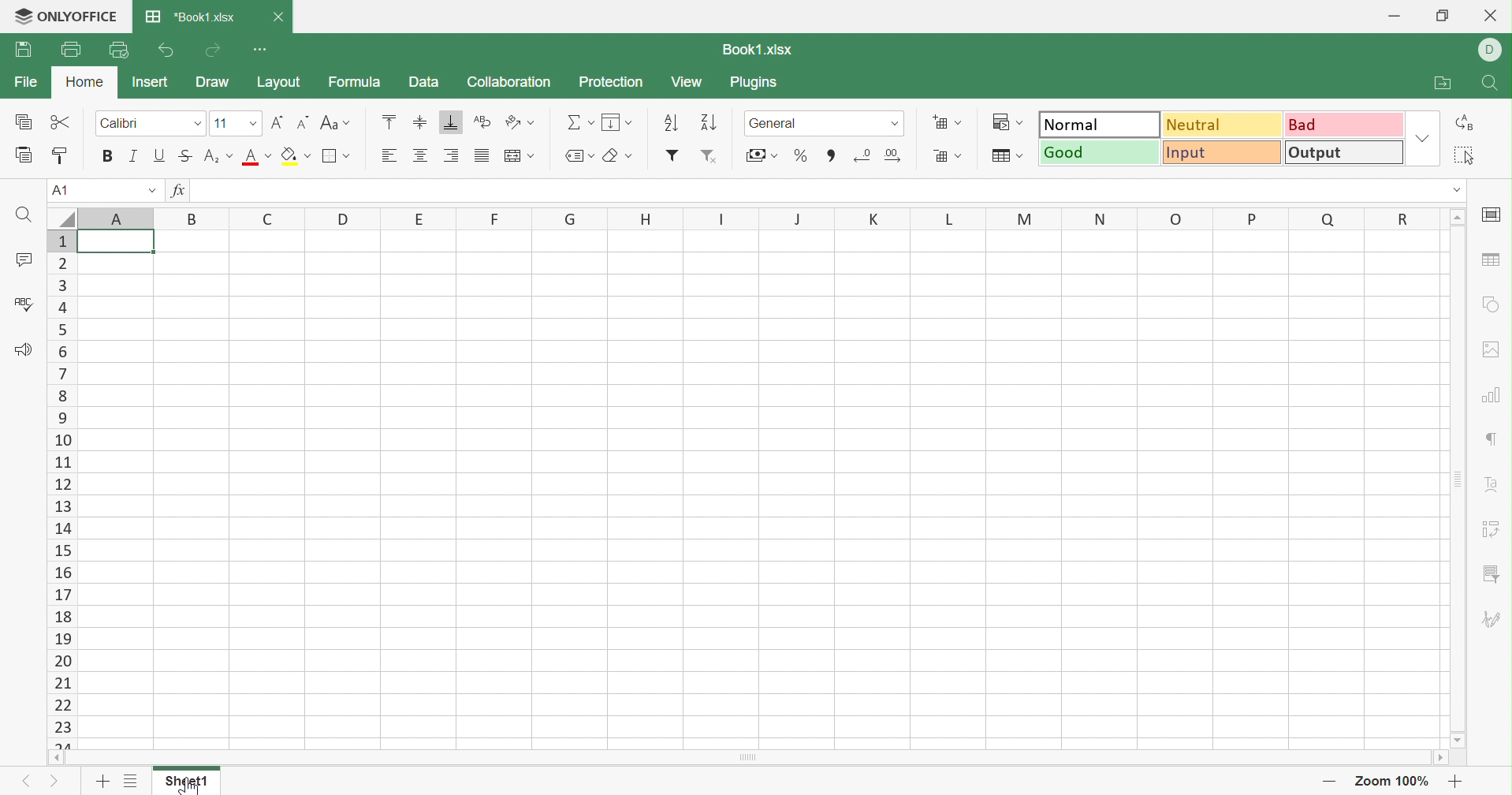 The image size is (1512, 795). Describe the element at coordinates (178, 189) in the screenshot. I see `fx` at that location.